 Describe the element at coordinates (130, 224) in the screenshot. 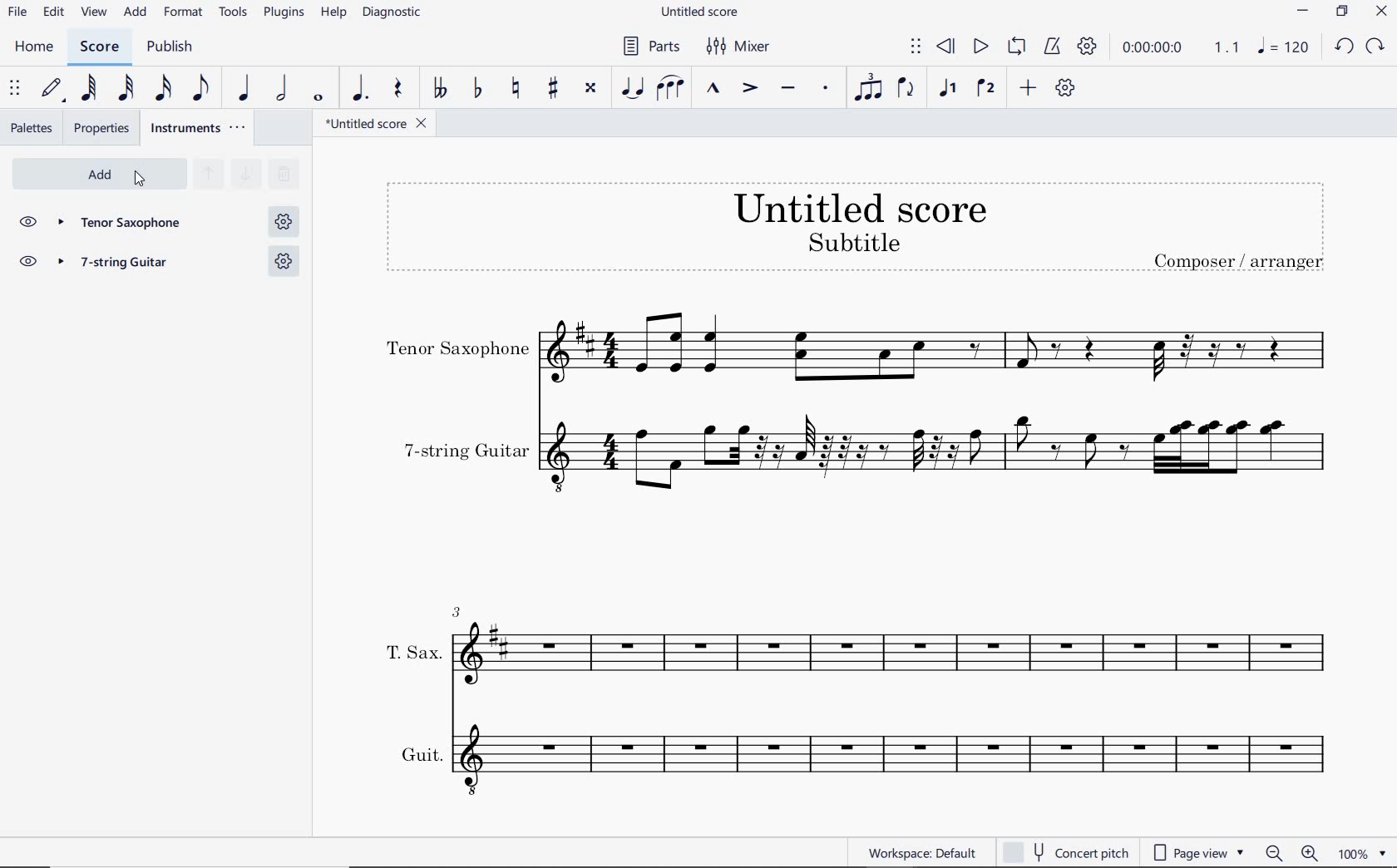

I see `Tenor saxophone` at that location.